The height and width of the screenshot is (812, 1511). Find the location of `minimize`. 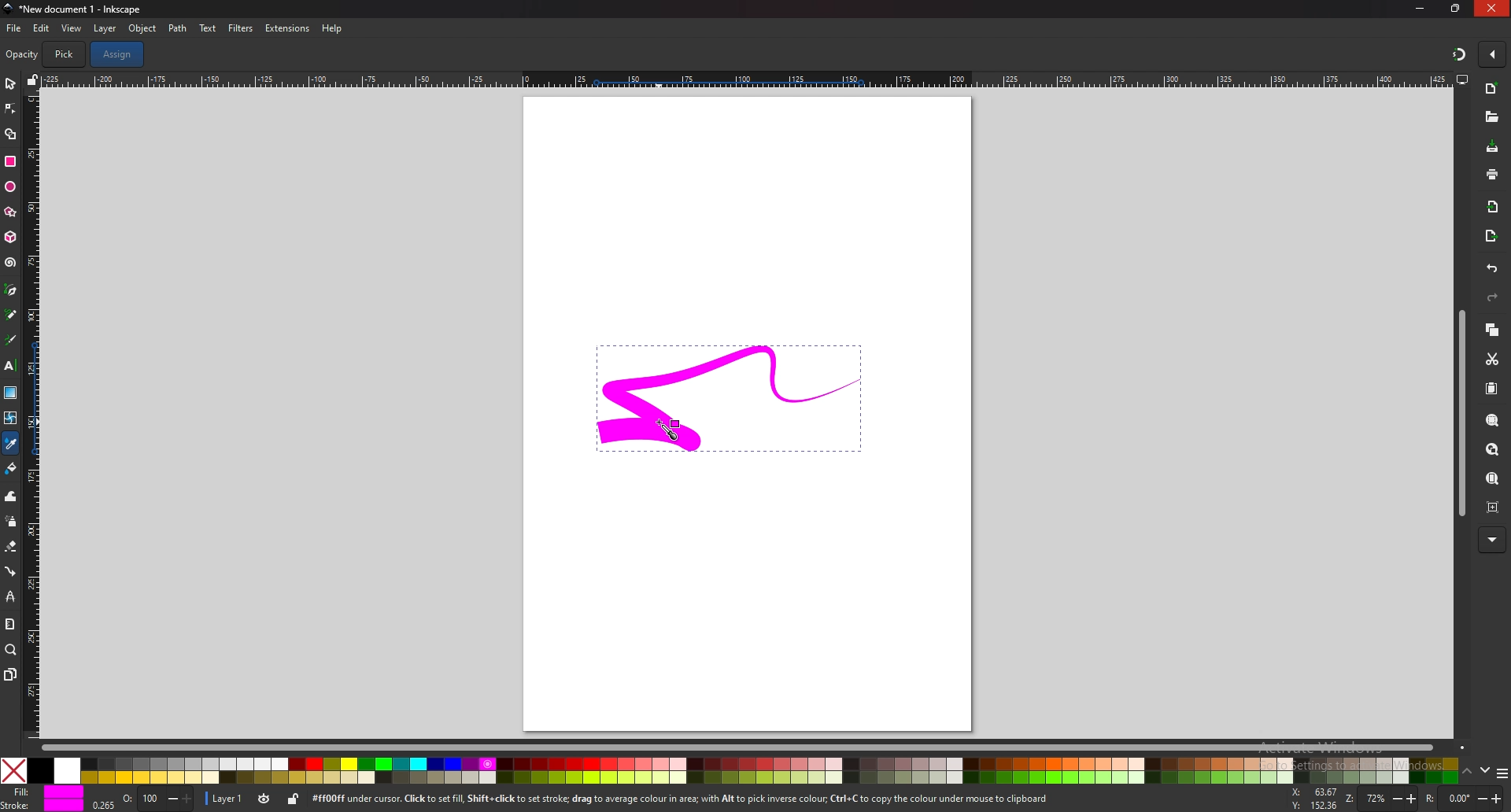

minimize is located at coordinates (1422, 9).